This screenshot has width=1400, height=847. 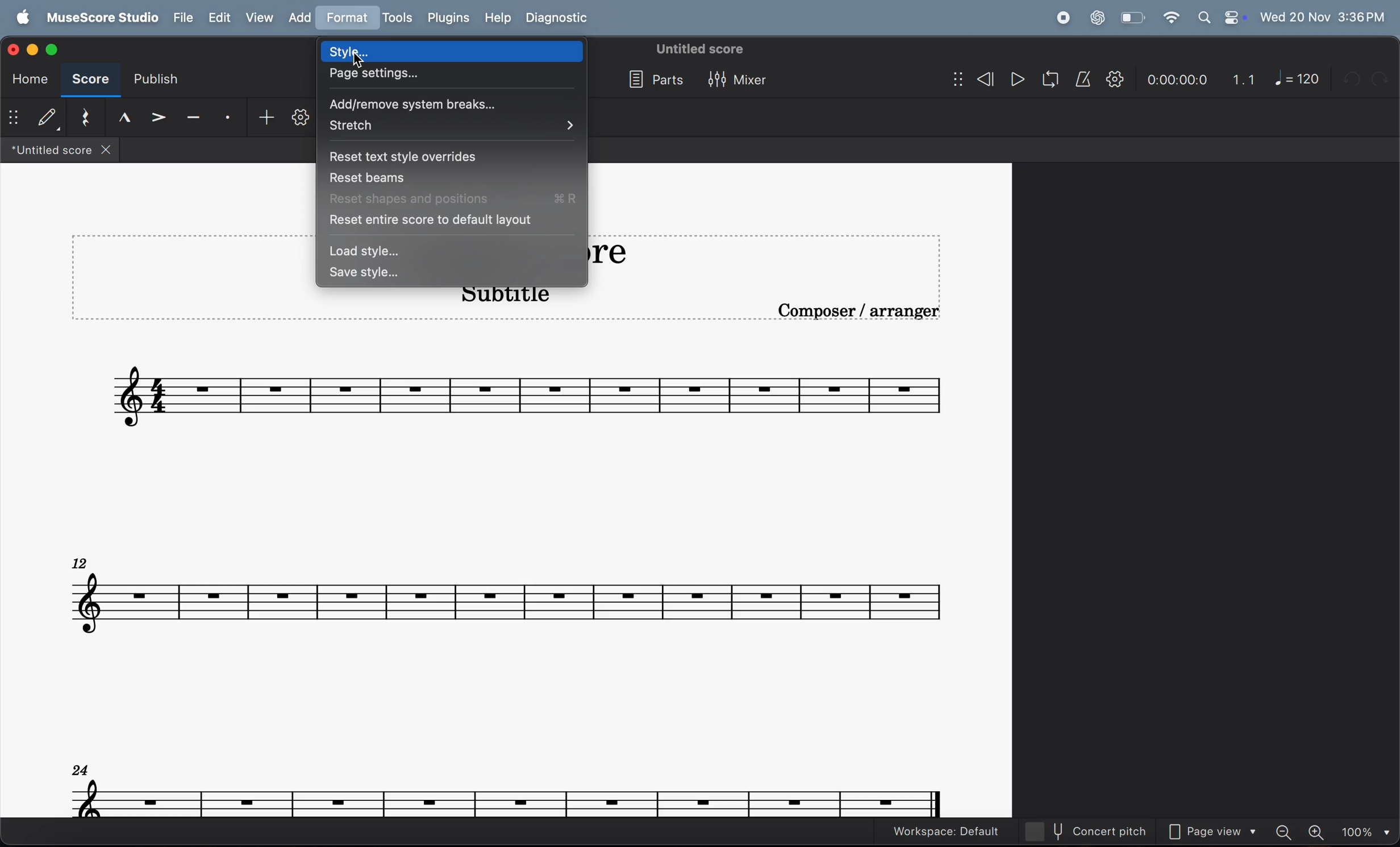 I want to click on minimize, so click(x=35, y=49).